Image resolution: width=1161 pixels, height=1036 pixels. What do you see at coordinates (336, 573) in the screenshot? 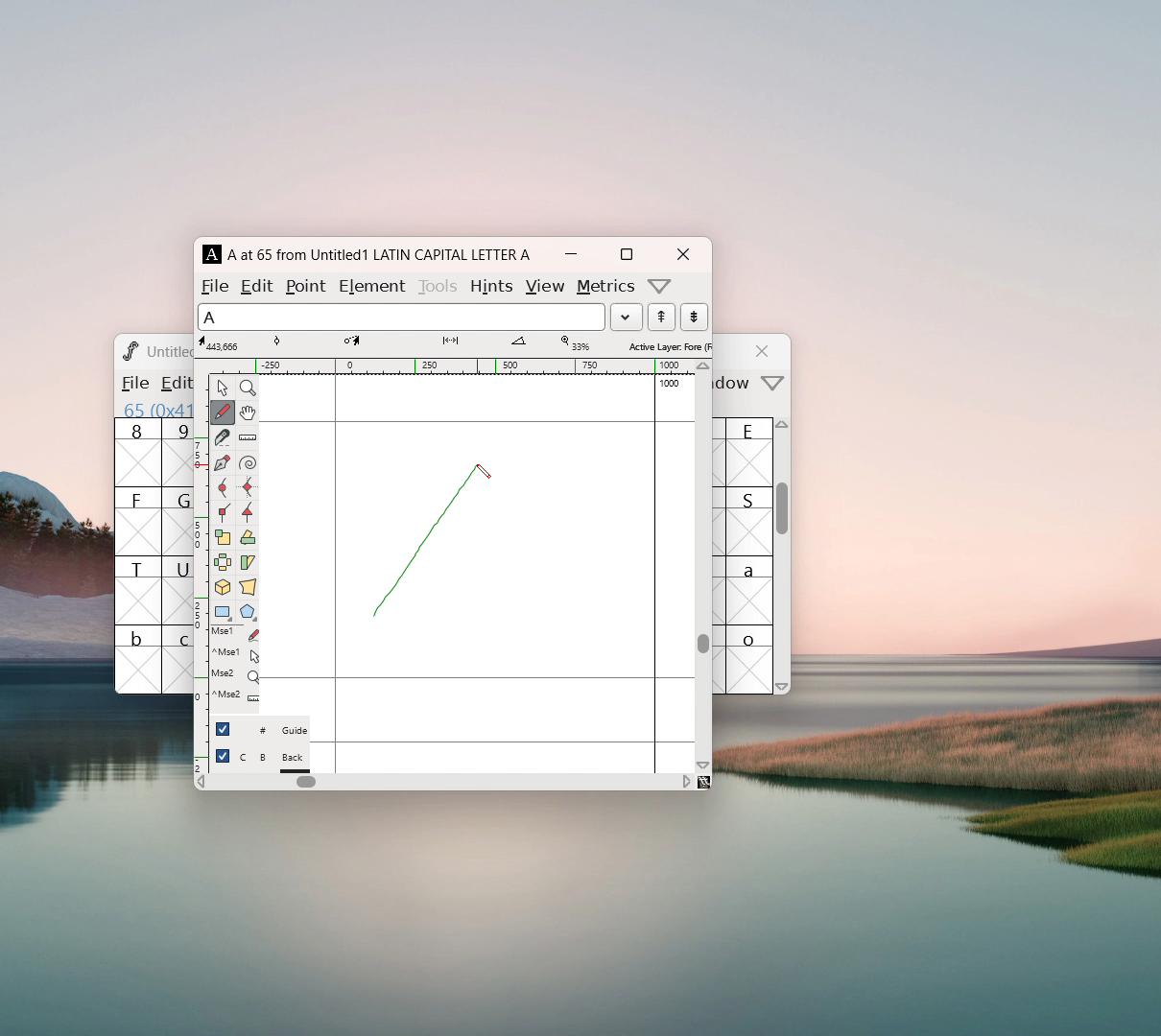
I see `left side bearing` at bounding box center [336, 573].